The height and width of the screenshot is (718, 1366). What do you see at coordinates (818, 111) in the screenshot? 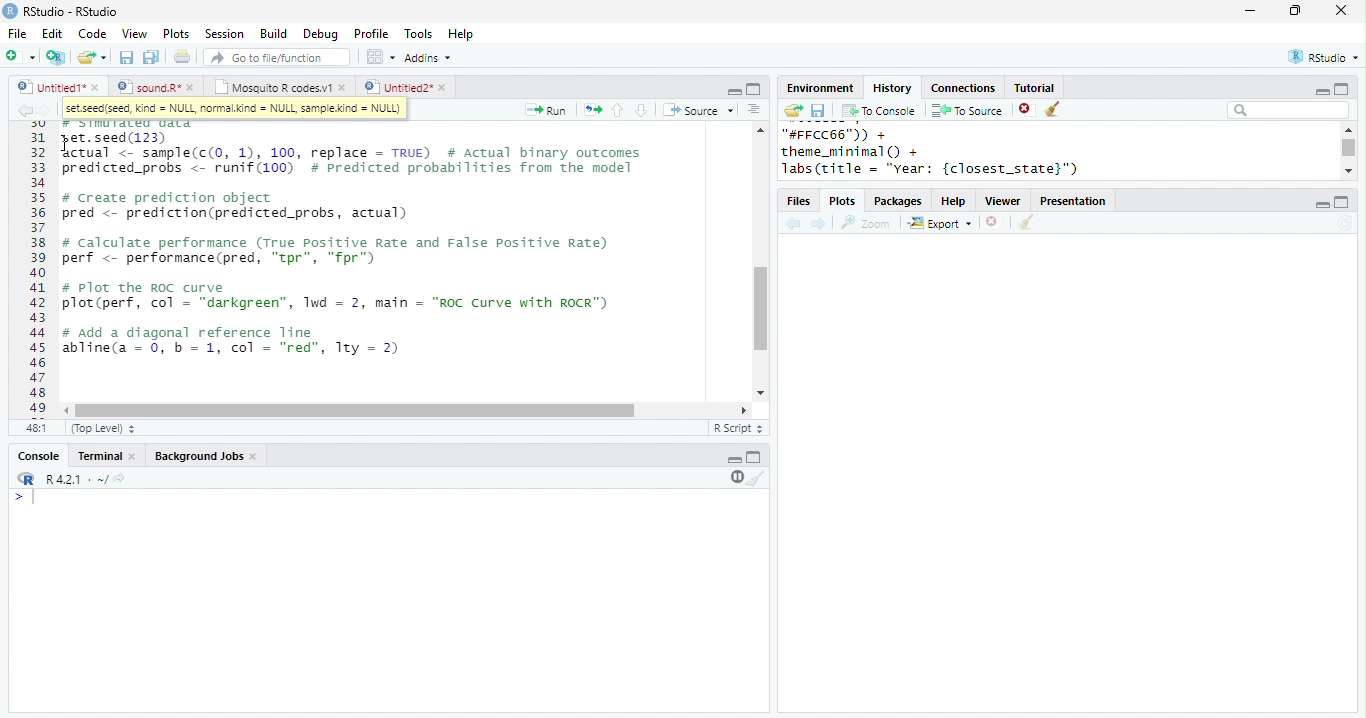
I see `save` at bounding box center [818, 111].